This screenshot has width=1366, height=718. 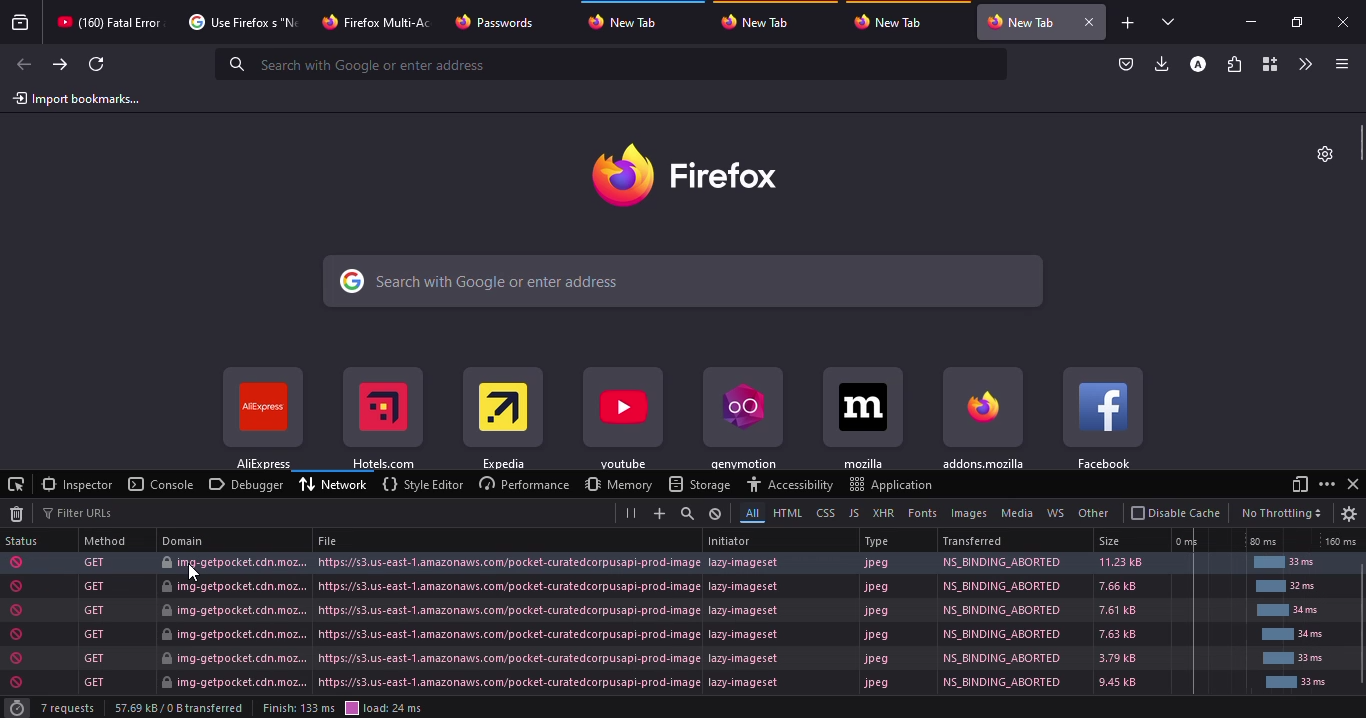 I want to click on 80, so click(x=1263, y=541).